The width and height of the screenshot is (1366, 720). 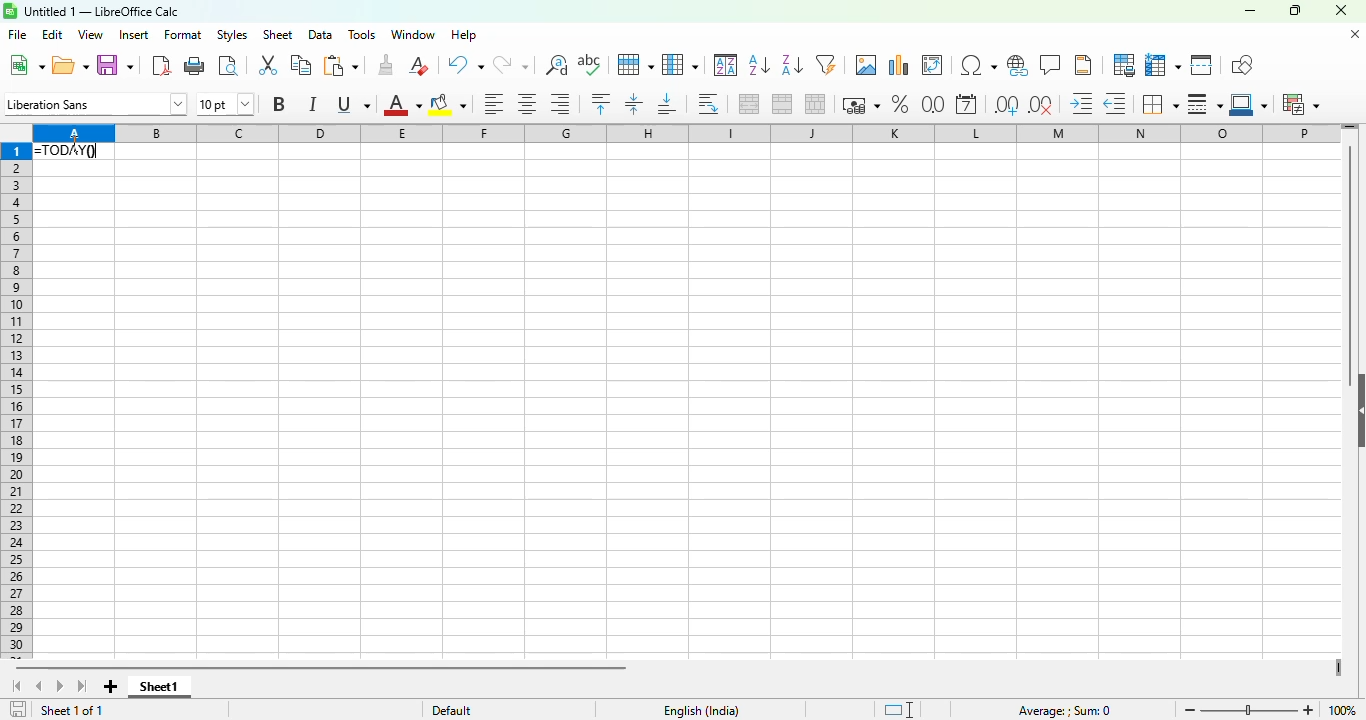 What do you see at coordinates (319, 35) in the screenshot?
I see `data` at bounding box center [319, 35].